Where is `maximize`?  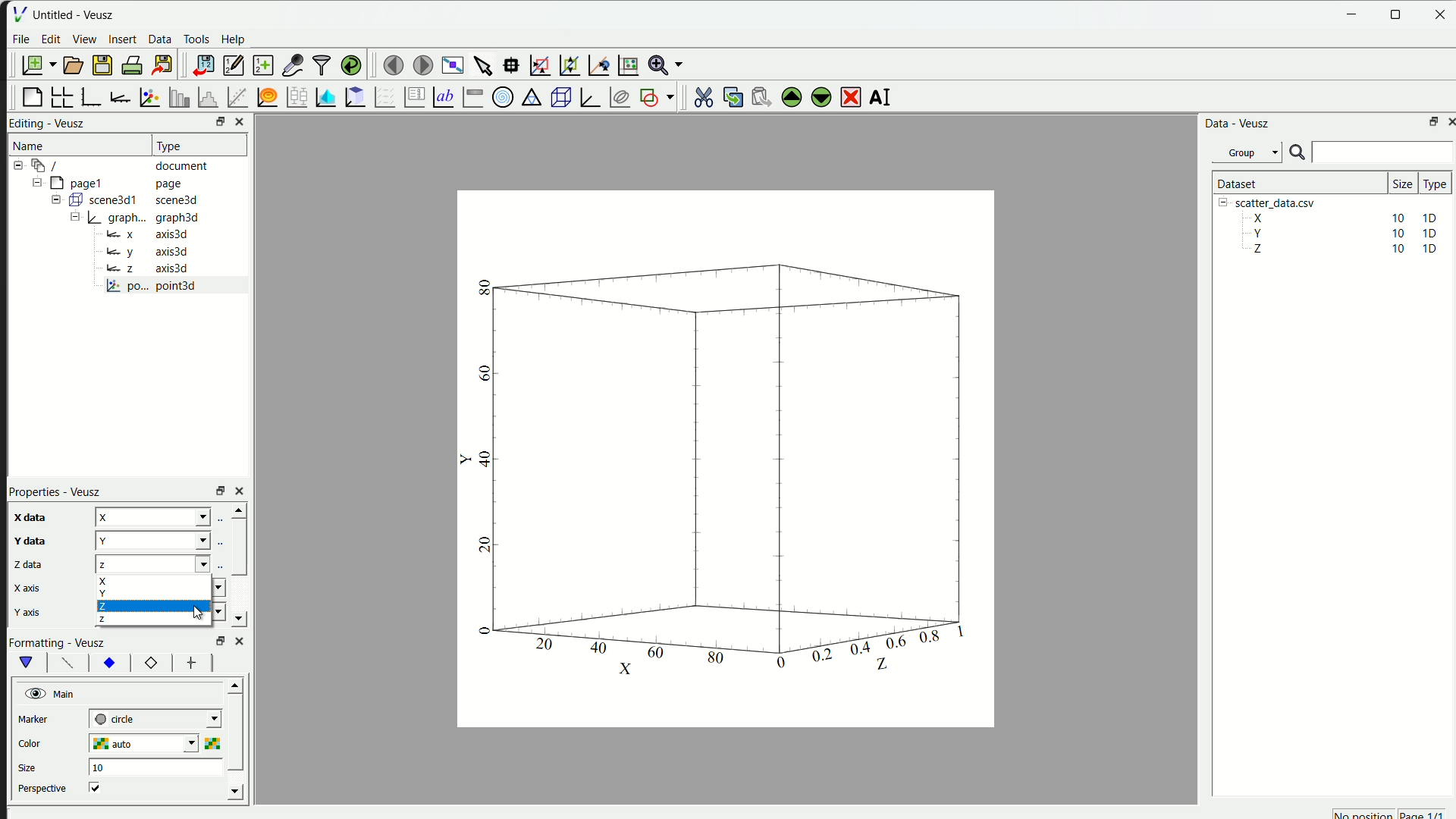 maximize is located at coordinates (1430, 120).